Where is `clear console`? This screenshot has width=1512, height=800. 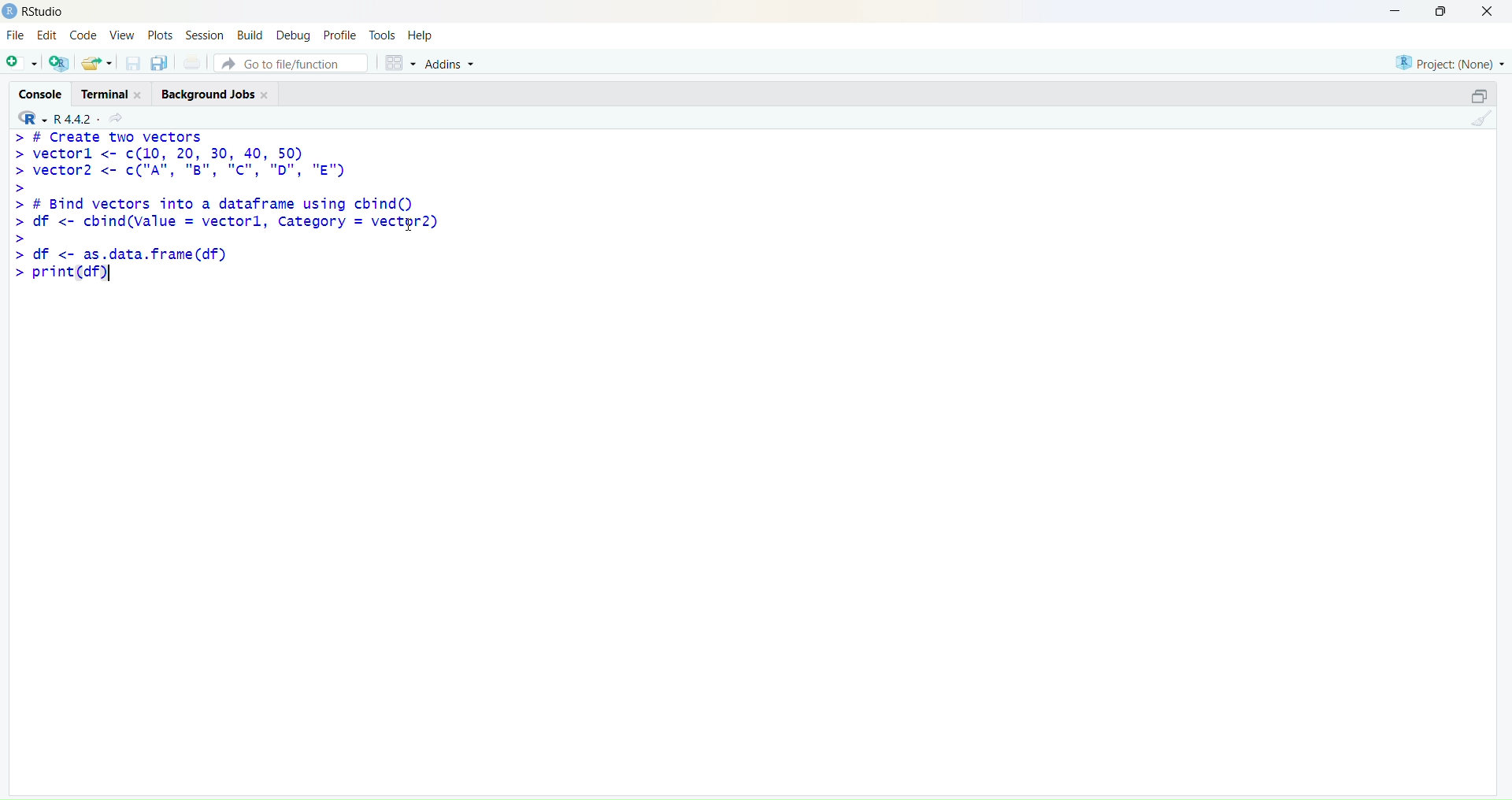
clear console is located at coordinates (1481, 119).